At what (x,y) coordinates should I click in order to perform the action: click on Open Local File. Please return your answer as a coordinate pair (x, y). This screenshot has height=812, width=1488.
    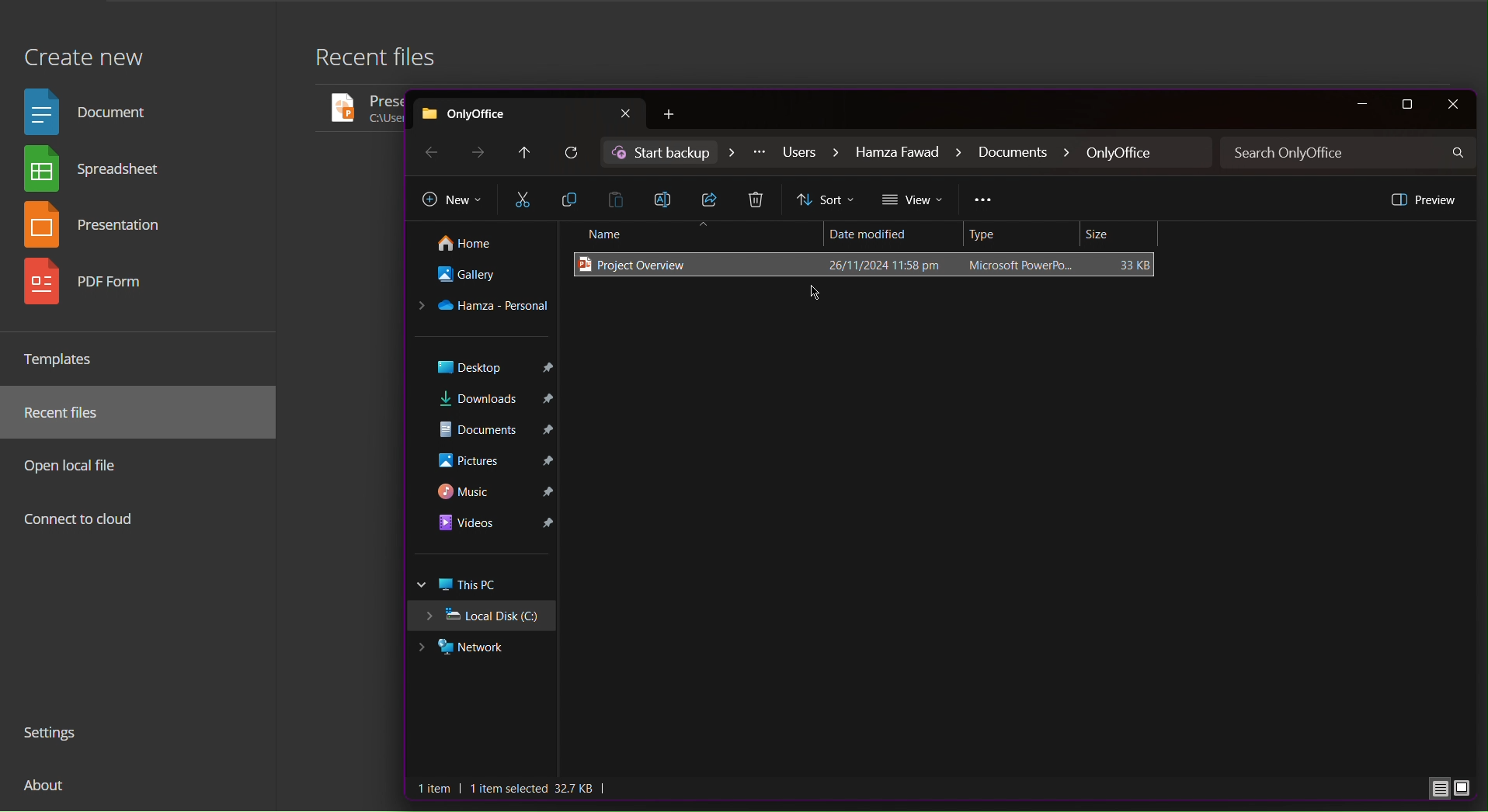
    Looking at the image, I should click on (76, 465).